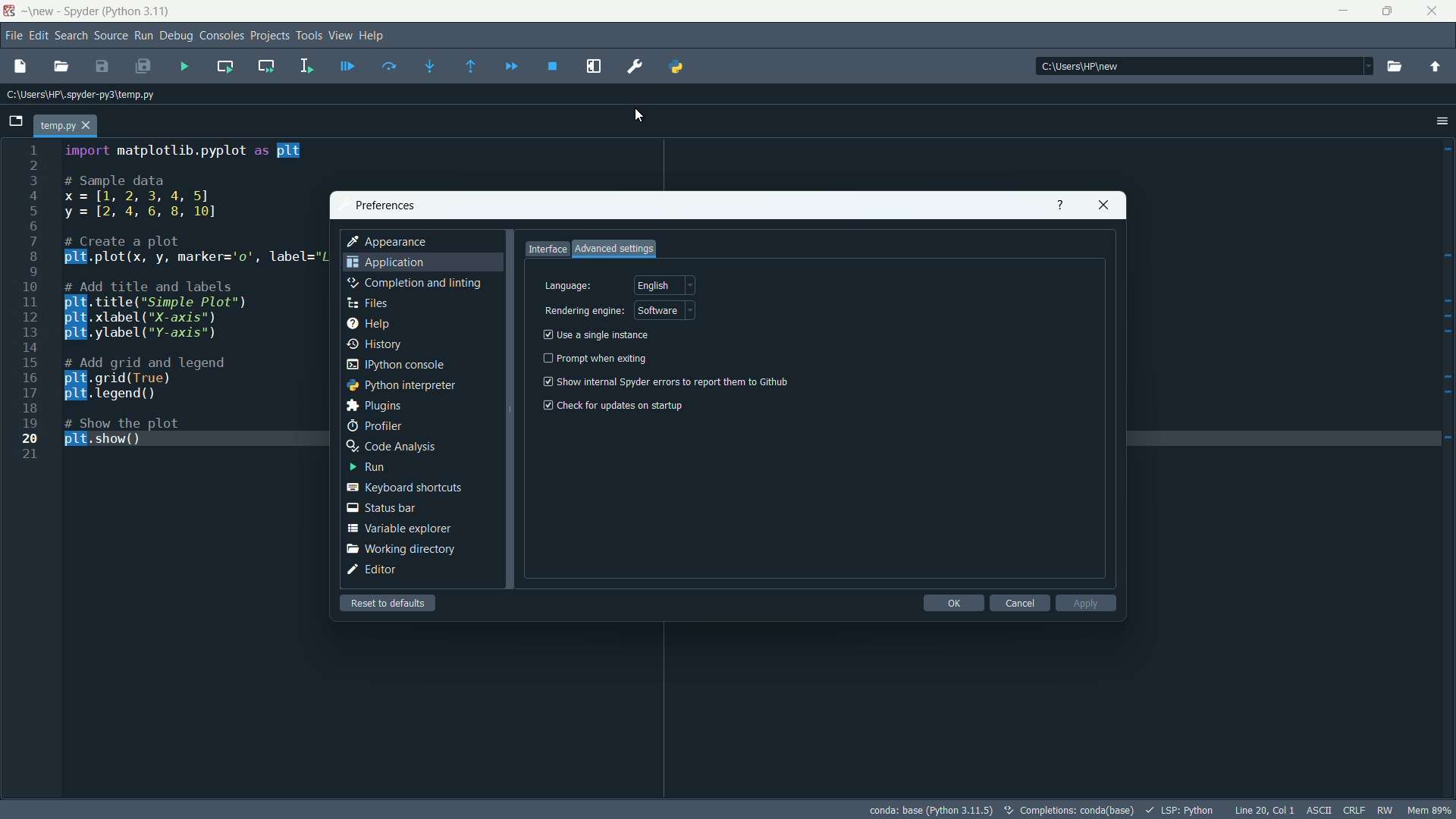  Describe the element at coordinates (1441, 120) in the screenshot. I see `options` at that location.